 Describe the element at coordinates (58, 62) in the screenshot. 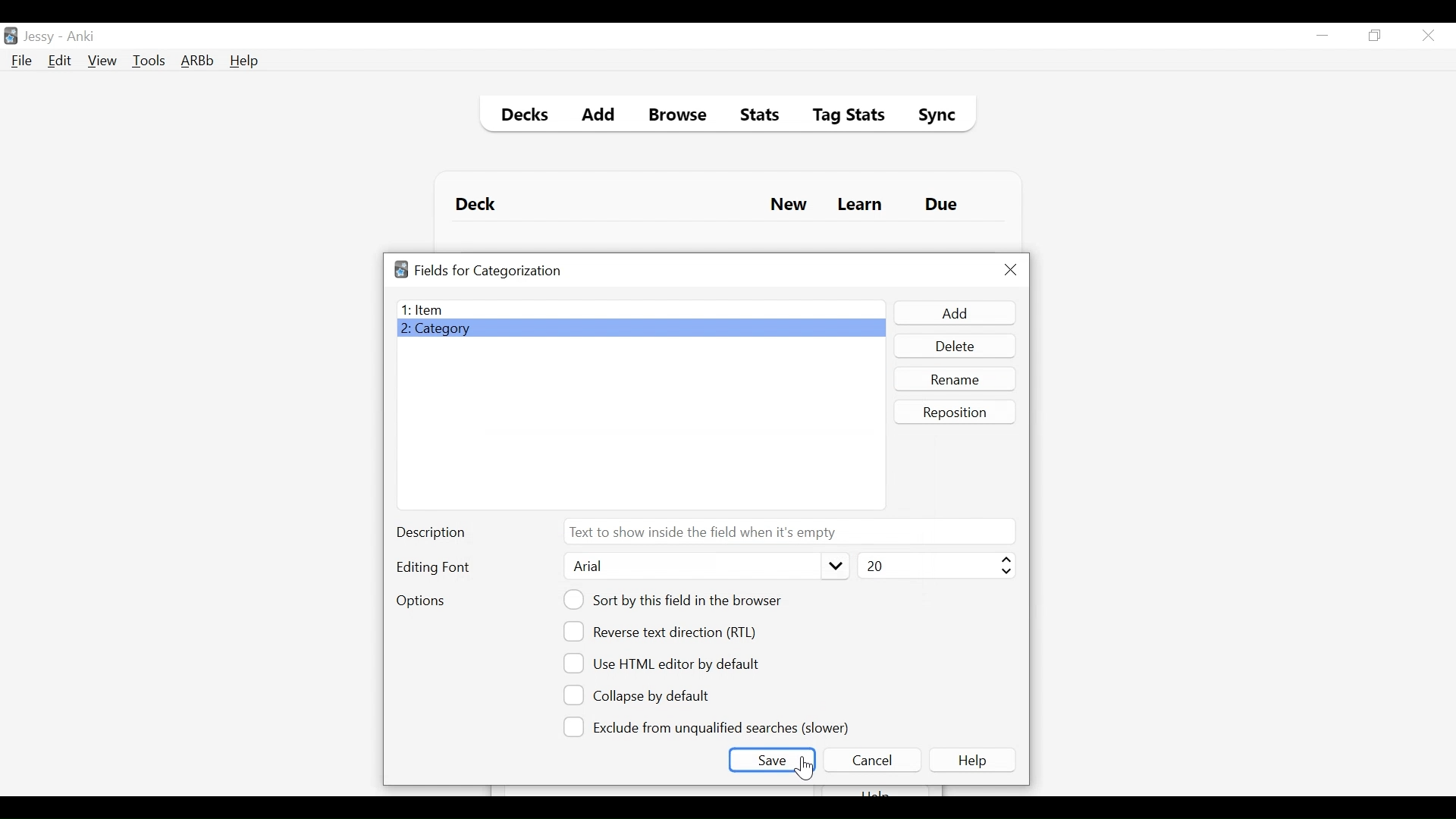

I see `Edit` at that location.